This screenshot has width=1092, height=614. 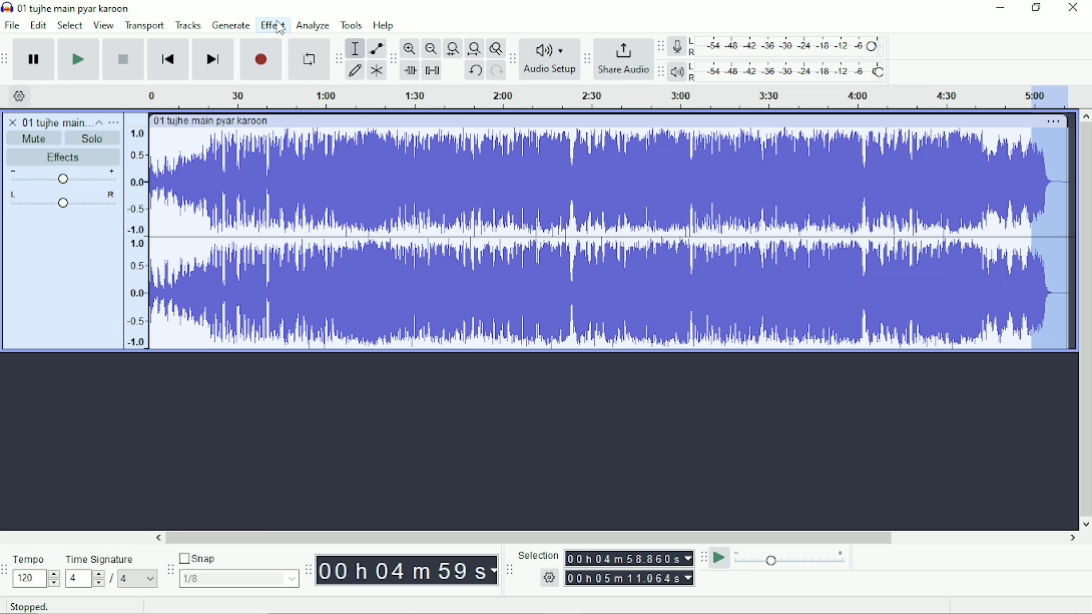 I want to click on 4, so click(x=140, y=578).